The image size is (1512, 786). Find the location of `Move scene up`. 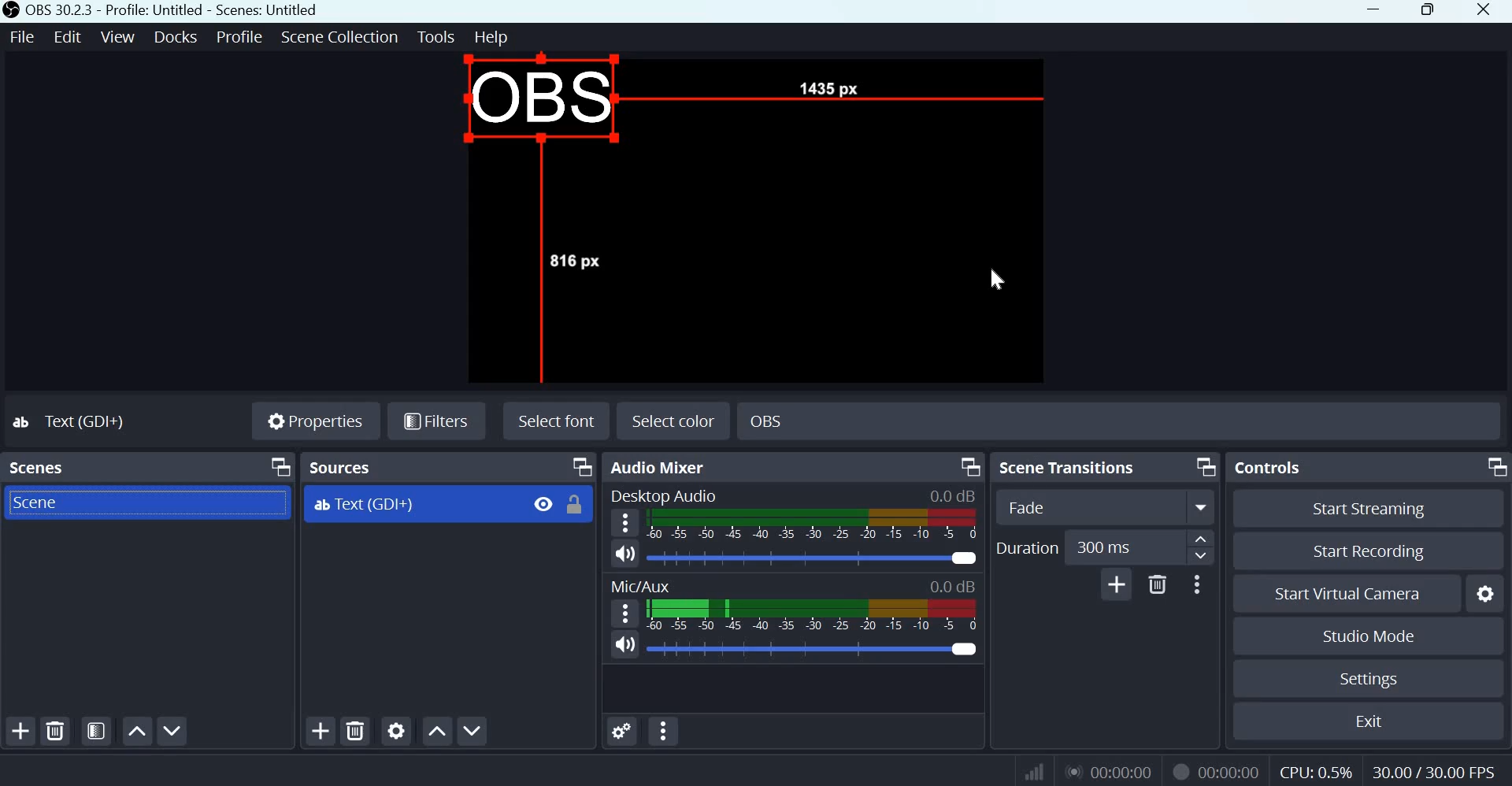

Move scene up is located at coordinates (171, 731).